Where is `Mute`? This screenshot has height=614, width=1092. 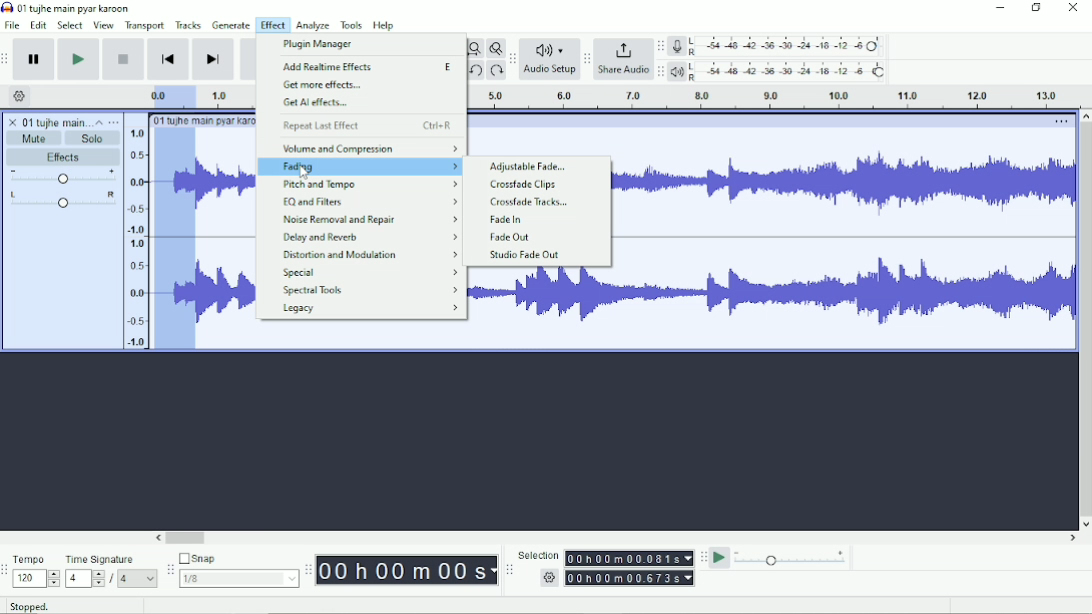 Mute is located at coordinates (35, 138).